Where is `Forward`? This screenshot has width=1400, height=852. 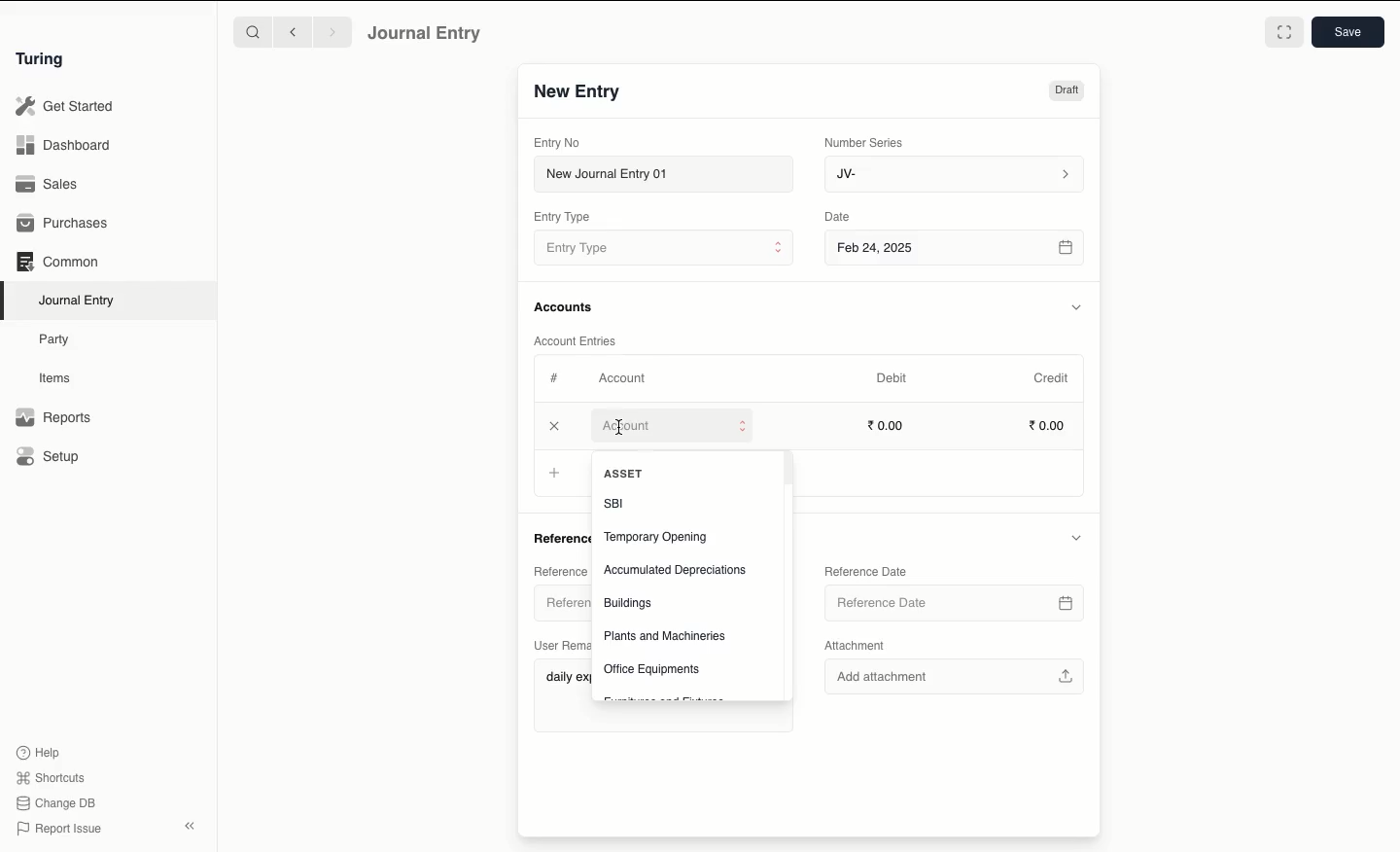
Forward is located at coordinates (333, 31).